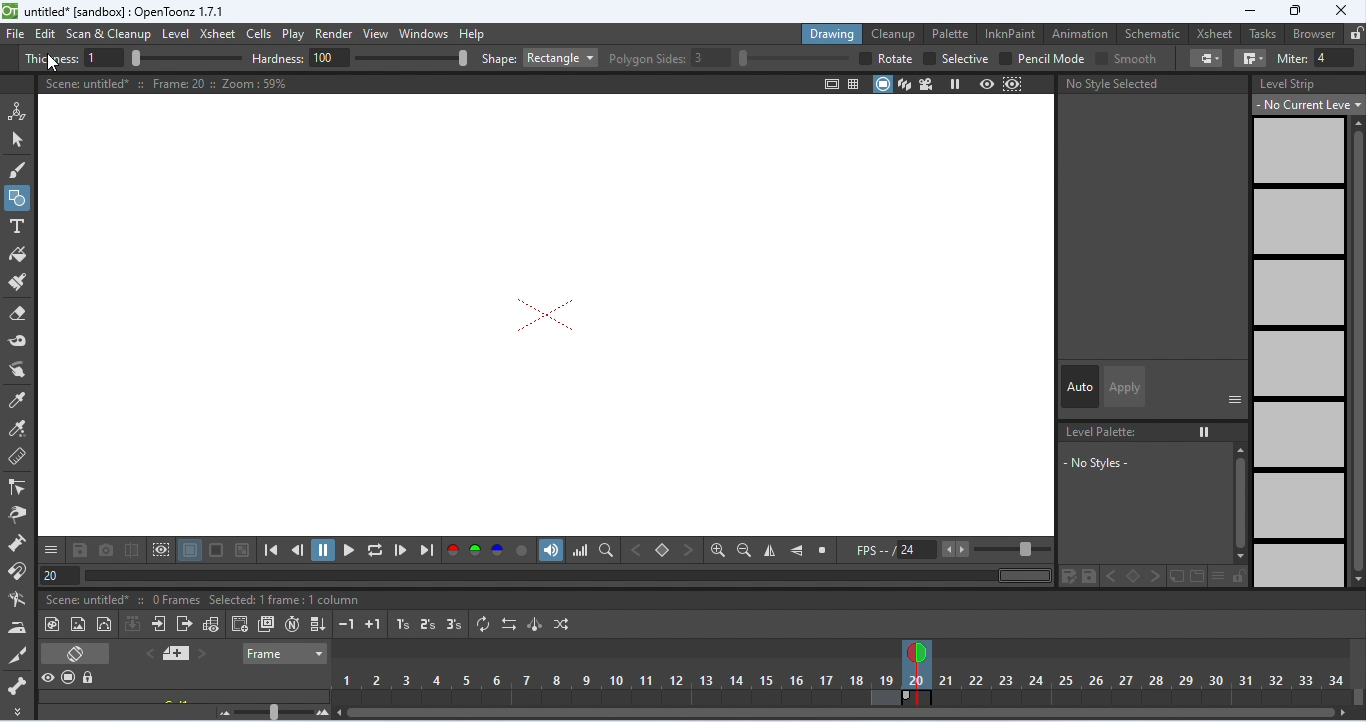 The image size is (1366, 722). I want to click on miter, so click(1318, 58).